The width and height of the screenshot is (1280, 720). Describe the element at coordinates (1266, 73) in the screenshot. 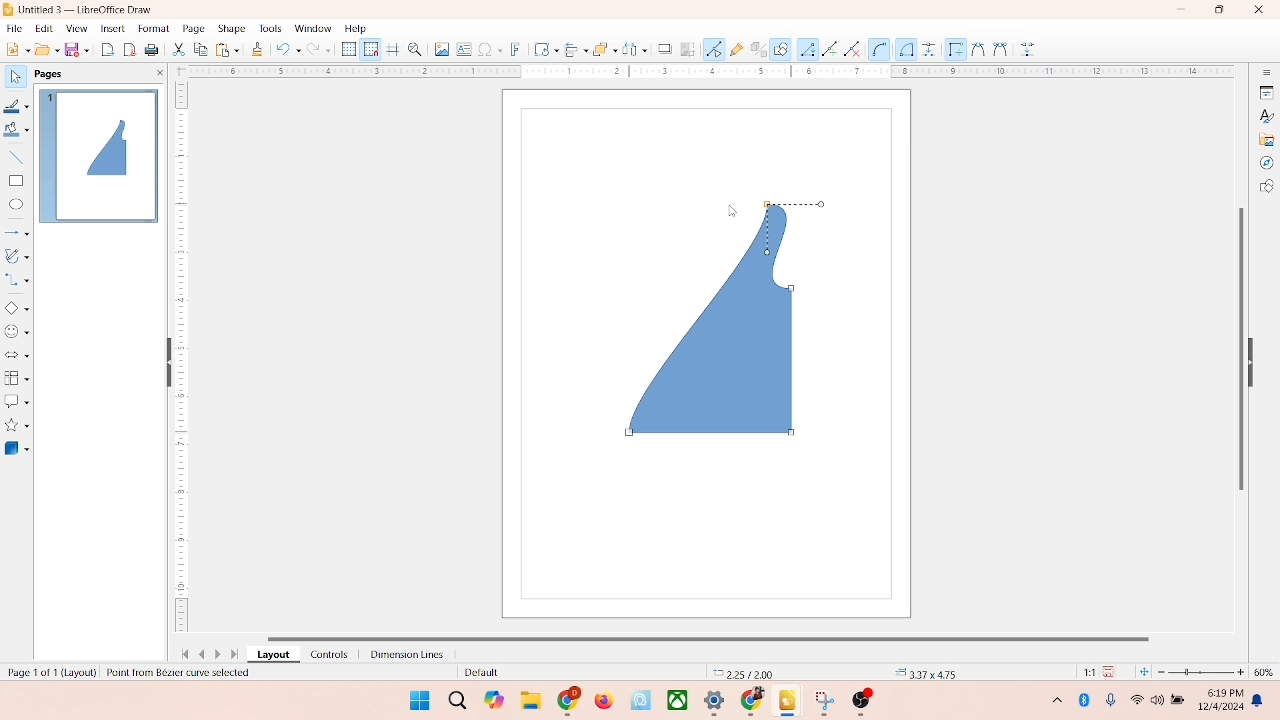

I see `sidebar settings` at that location.